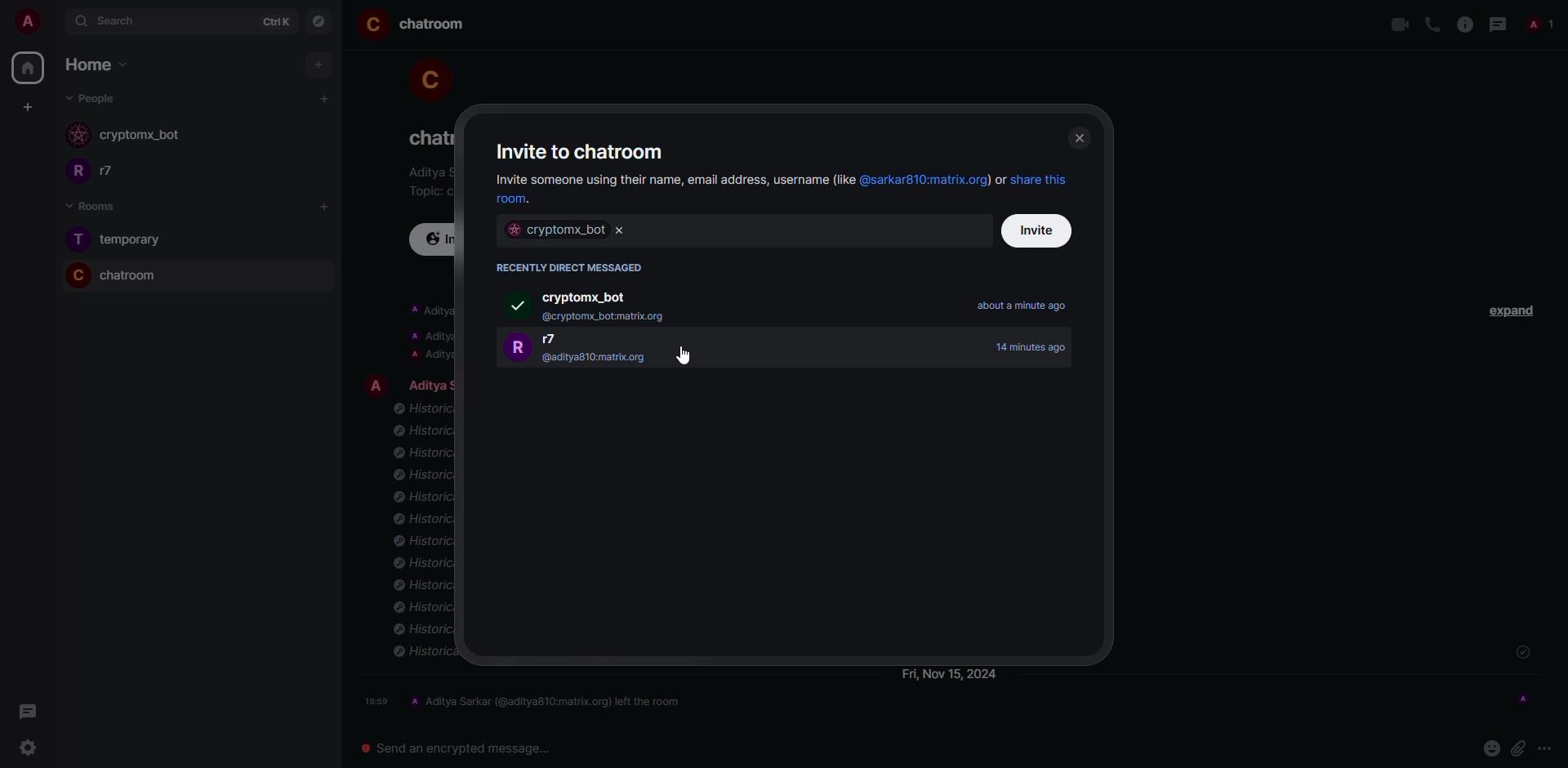 The height and width of the screenshot is (768, 1568). Describe the element at coordinates (583, 150) in the screenshot. I see `invite to chatroom` at that location.